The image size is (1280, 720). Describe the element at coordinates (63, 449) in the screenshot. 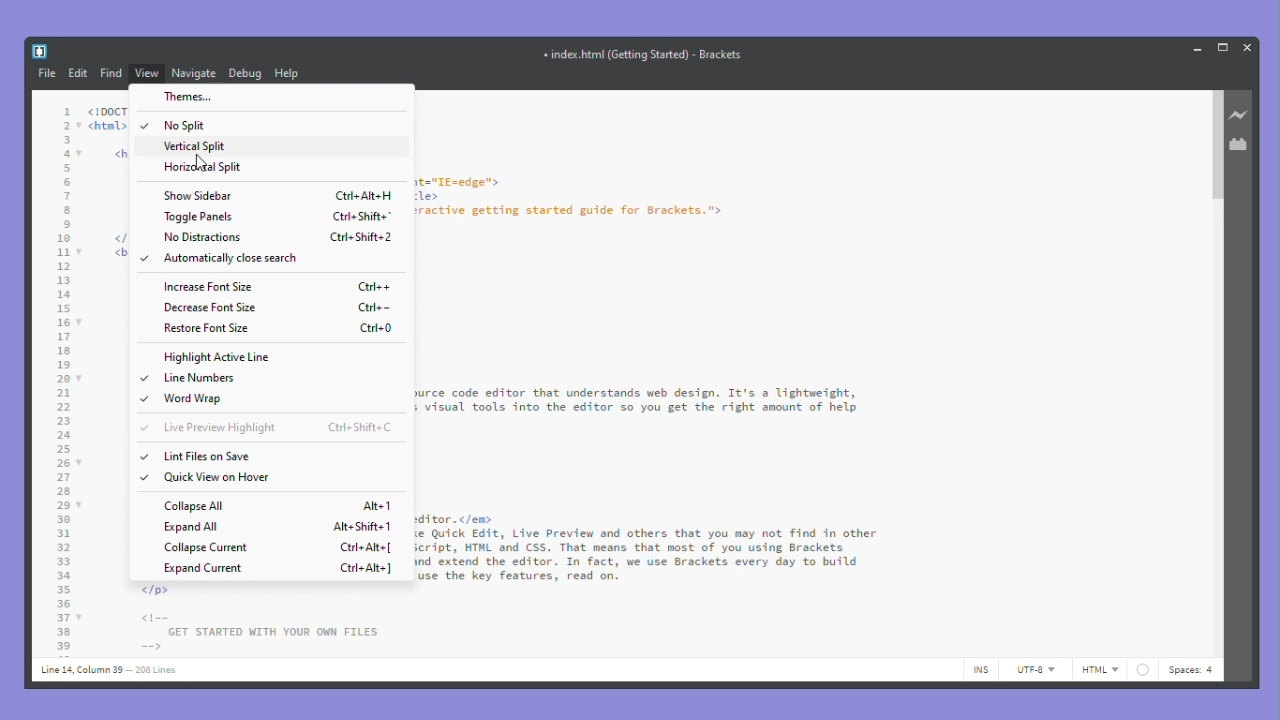

I see `25` at that location.